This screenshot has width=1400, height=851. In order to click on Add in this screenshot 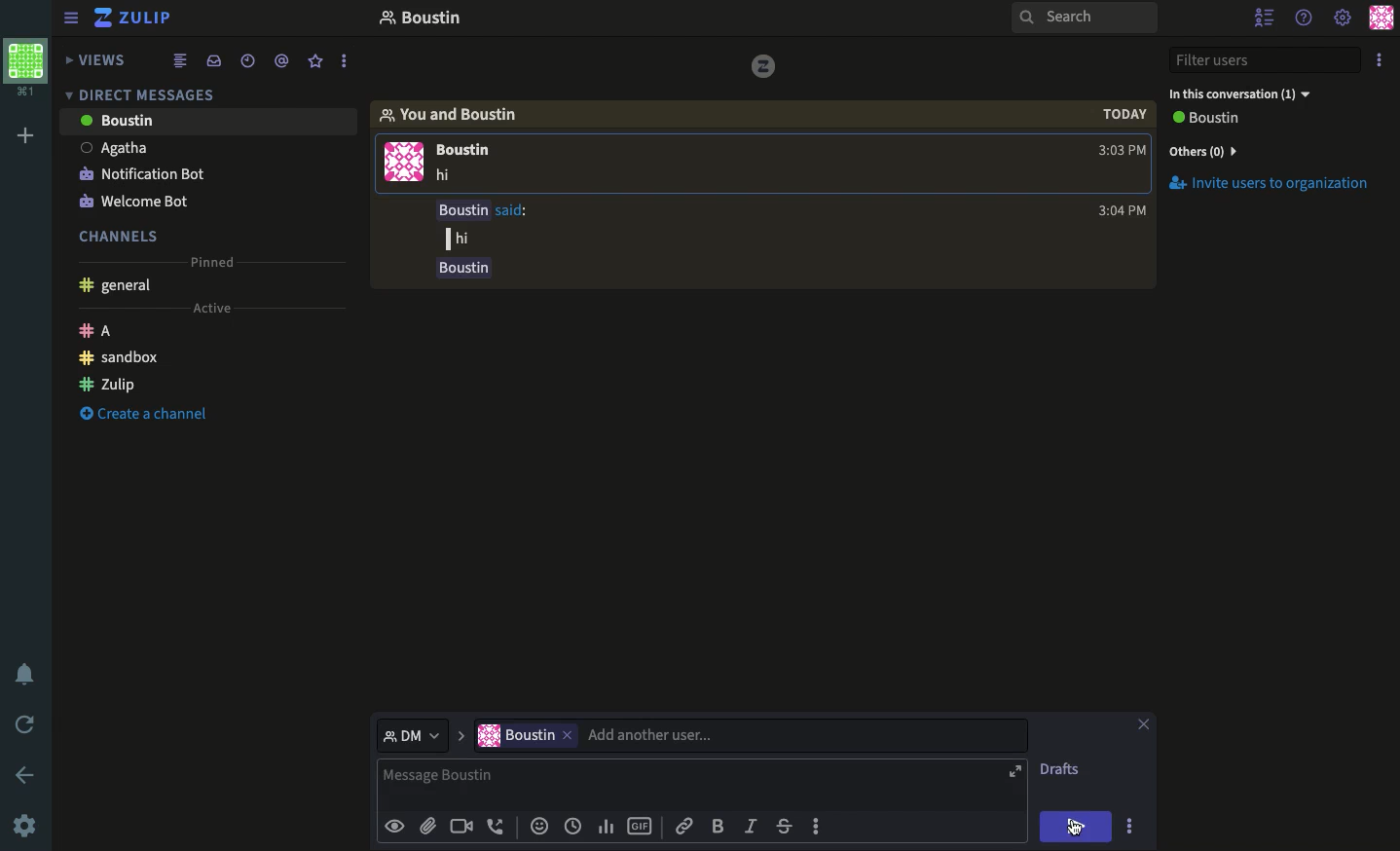, I will do `click(21, 137)`.